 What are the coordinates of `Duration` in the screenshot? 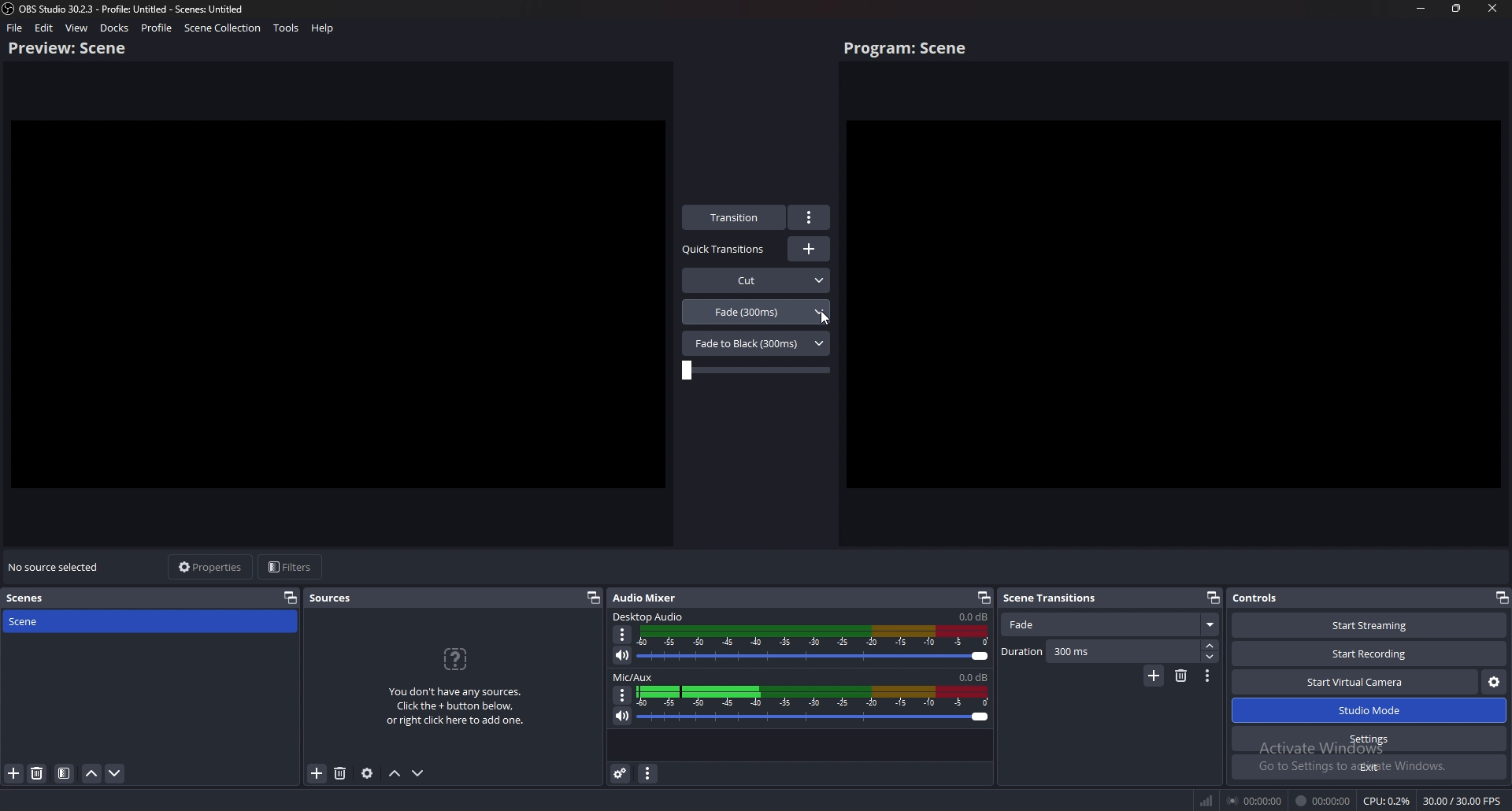 It's located at (1110, 652).